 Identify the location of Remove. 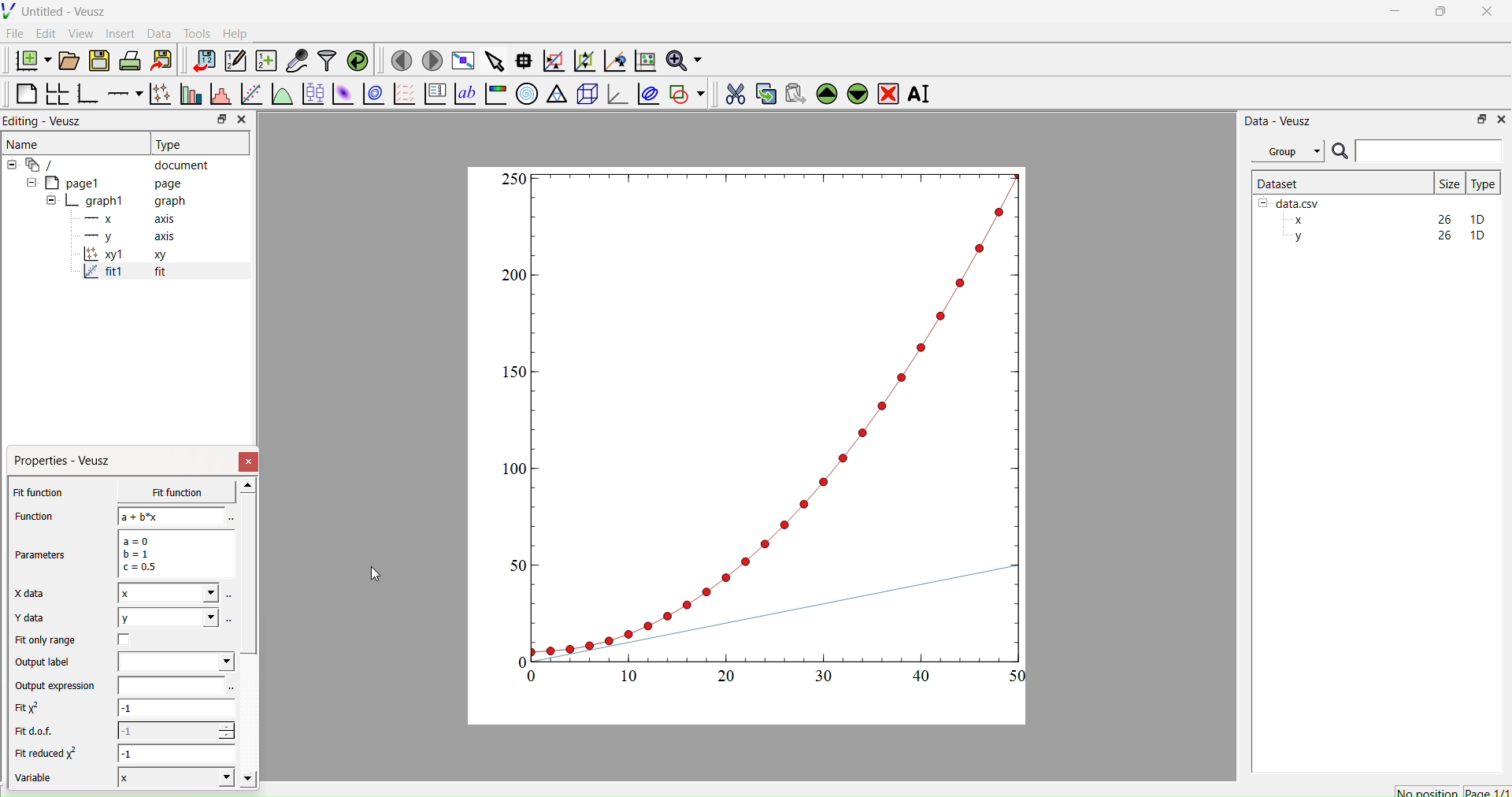
(888, 92).